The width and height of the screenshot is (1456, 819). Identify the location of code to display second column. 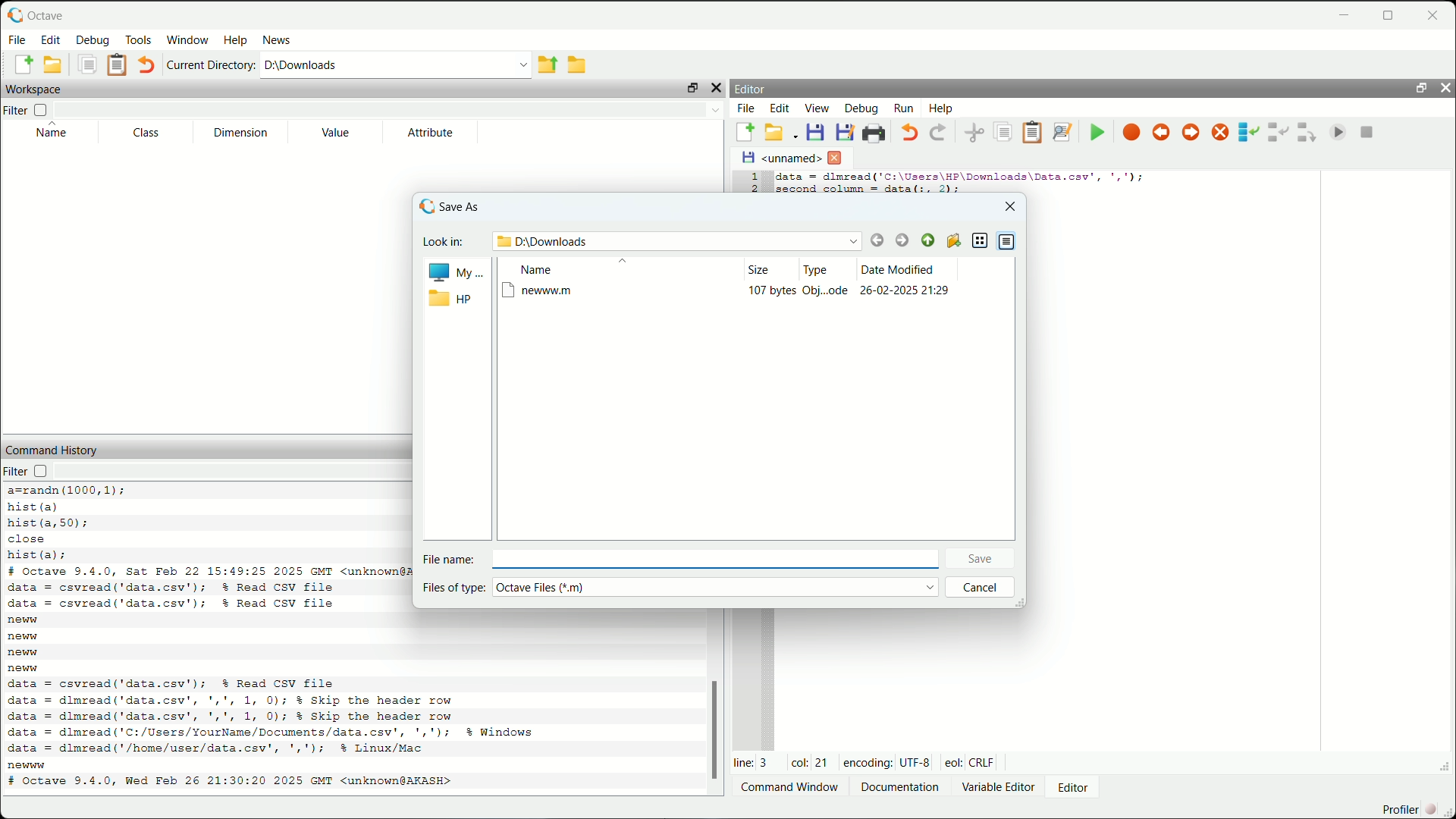
(965, 183).